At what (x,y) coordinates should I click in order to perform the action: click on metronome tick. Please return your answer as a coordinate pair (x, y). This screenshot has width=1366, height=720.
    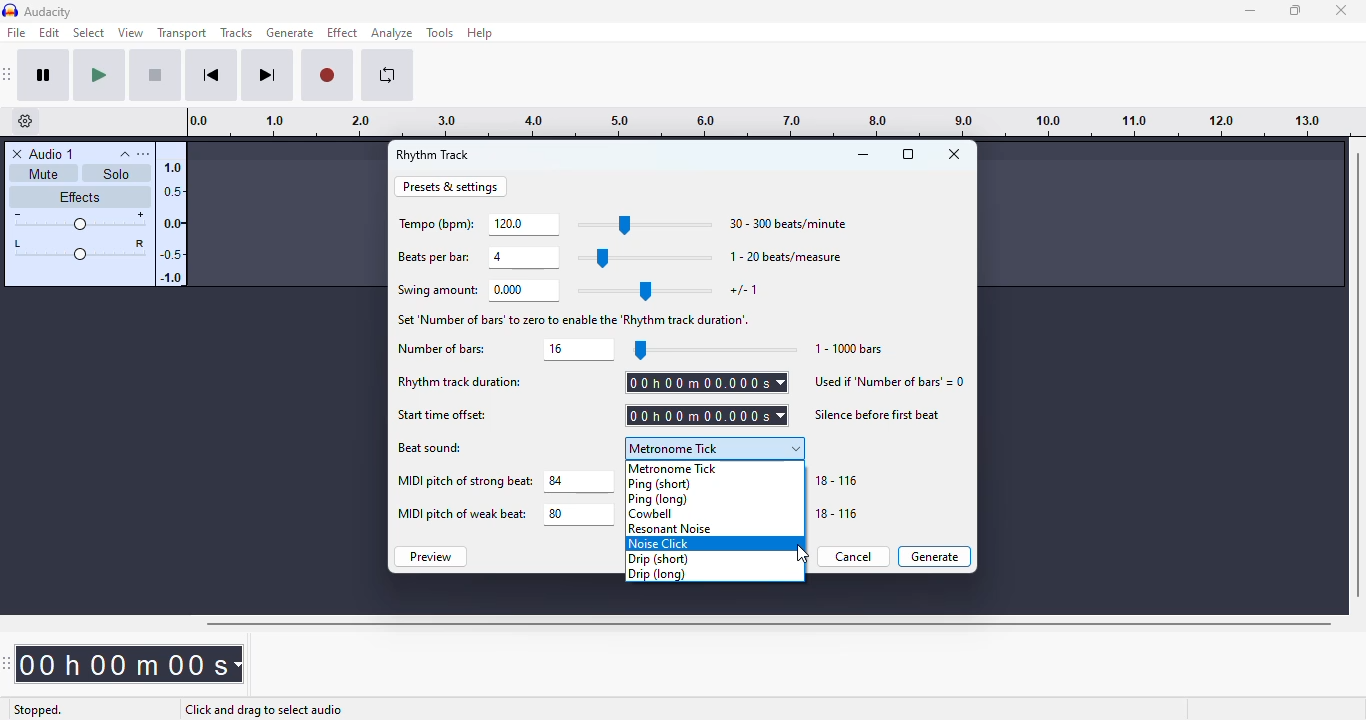
    Looking at the image, I should click on (715, 468).